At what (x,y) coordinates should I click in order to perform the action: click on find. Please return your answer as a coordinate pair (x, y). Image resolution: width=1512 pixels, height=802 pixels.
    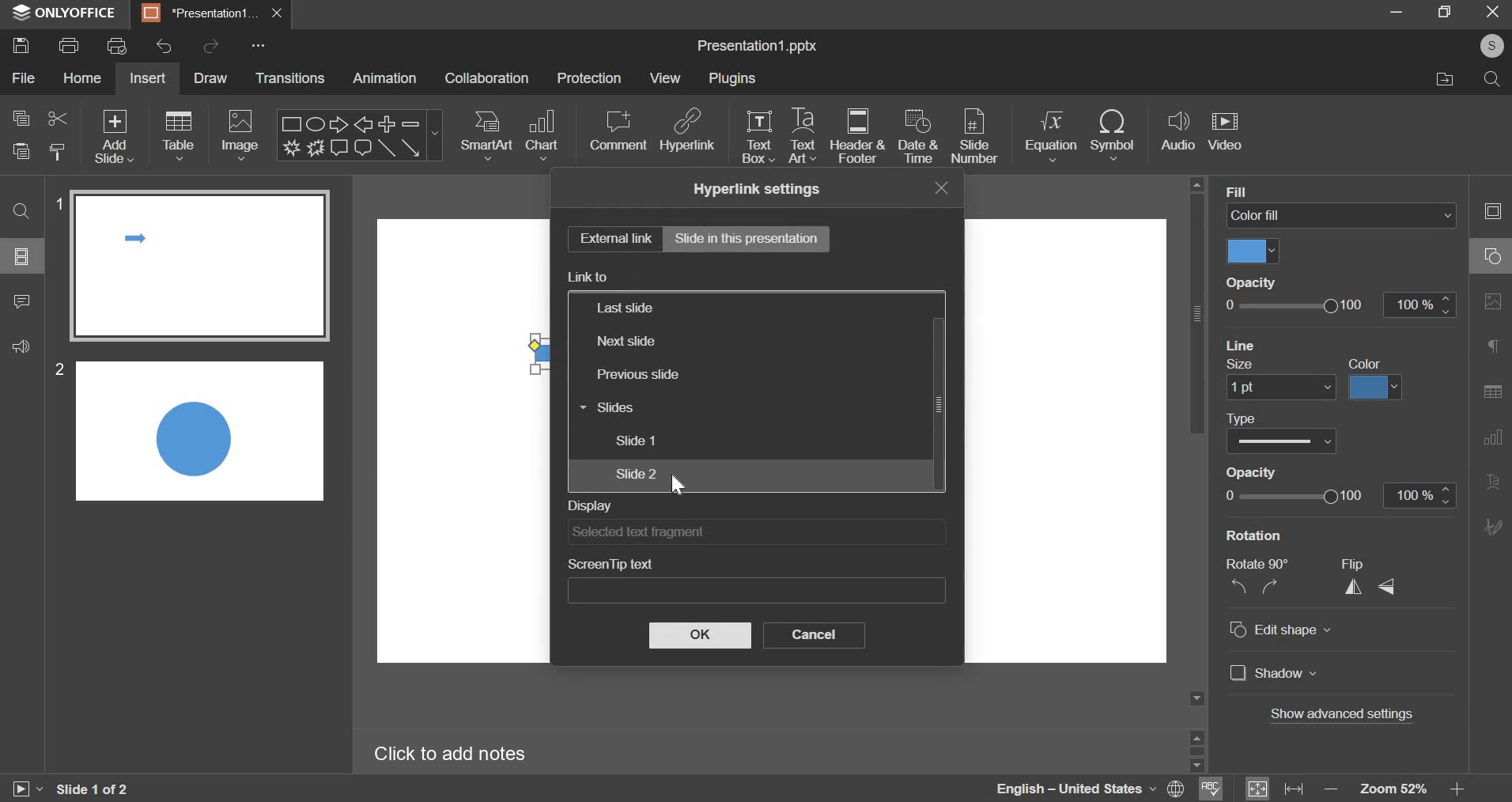
    Looking at the image, I should click on (20, 210).